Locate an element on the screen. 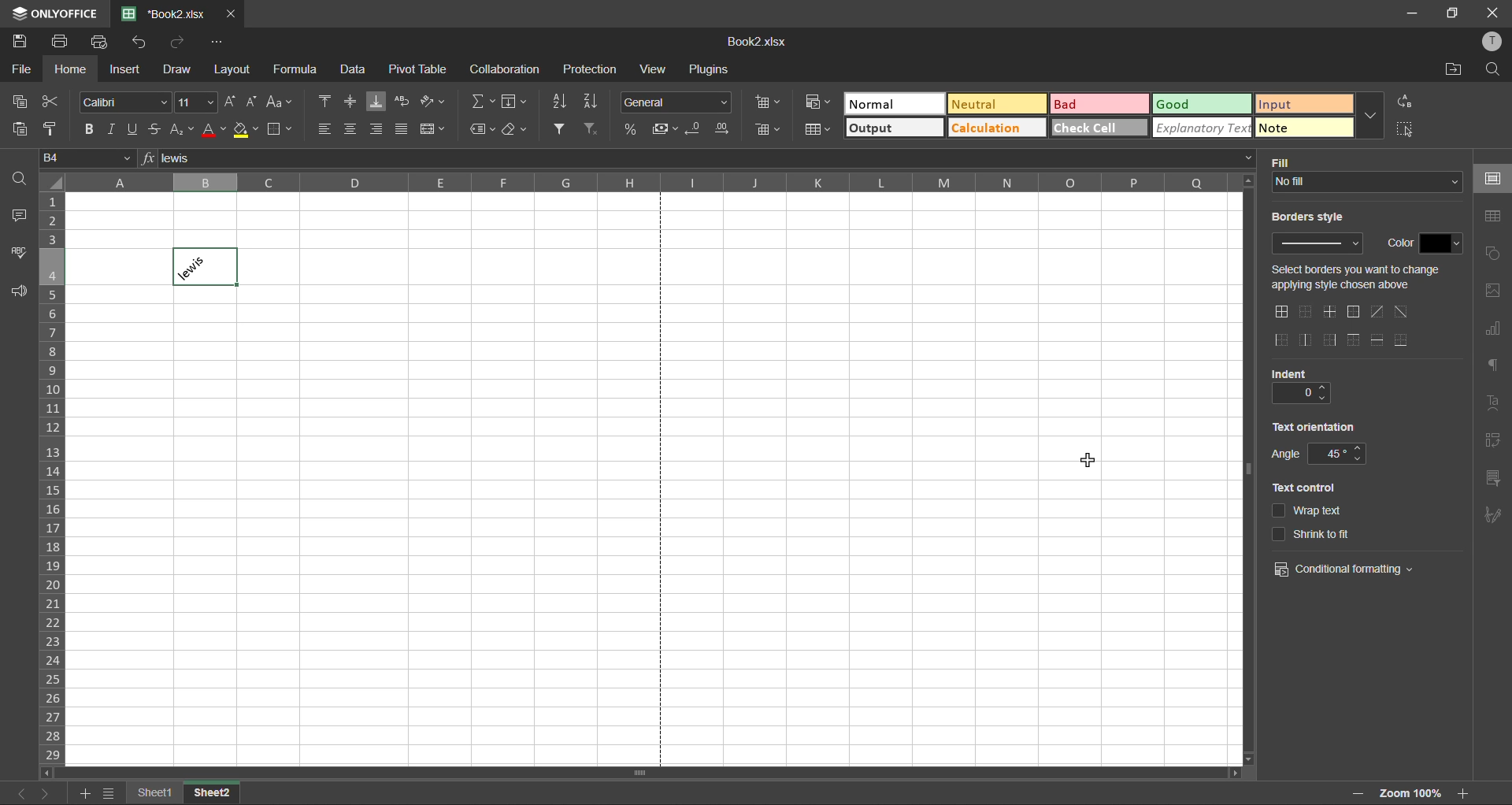 The image size is (1512, 805). indent is located at coordinates (1285, 374).